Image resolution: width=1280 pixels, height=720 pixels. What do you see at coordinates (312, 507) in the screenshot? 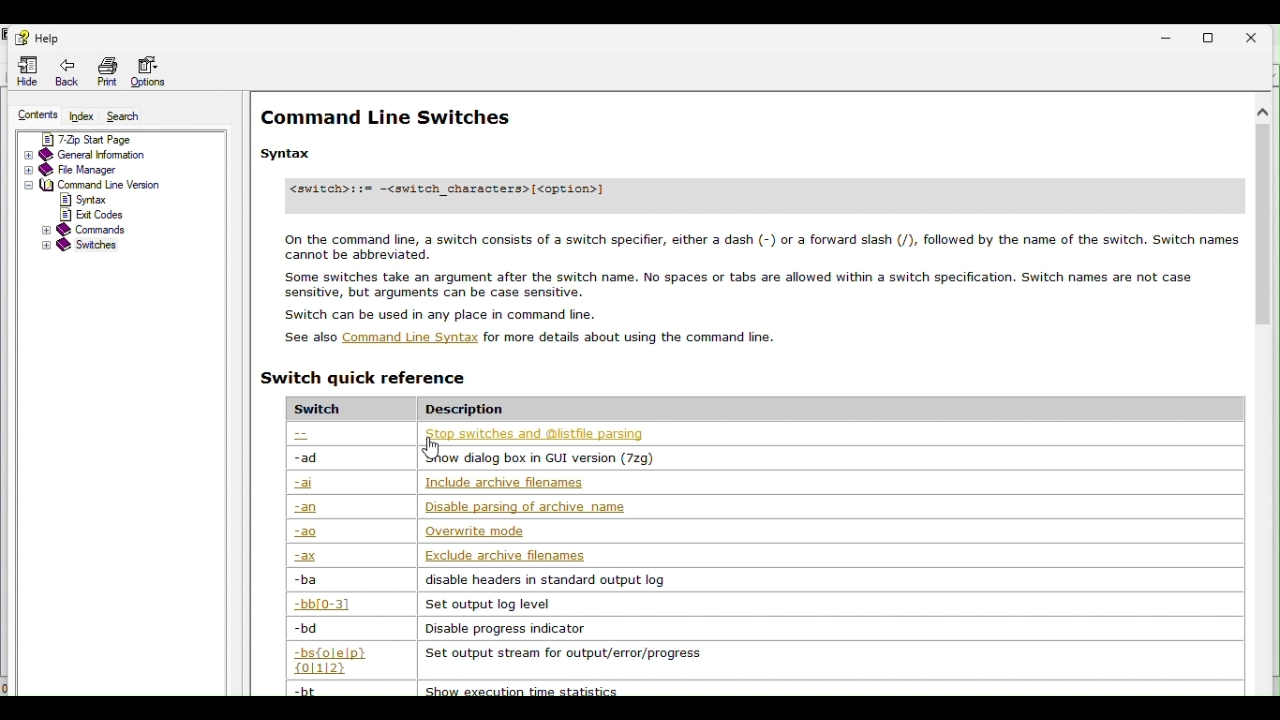
I see `-an` at bounding box center [312, 507].